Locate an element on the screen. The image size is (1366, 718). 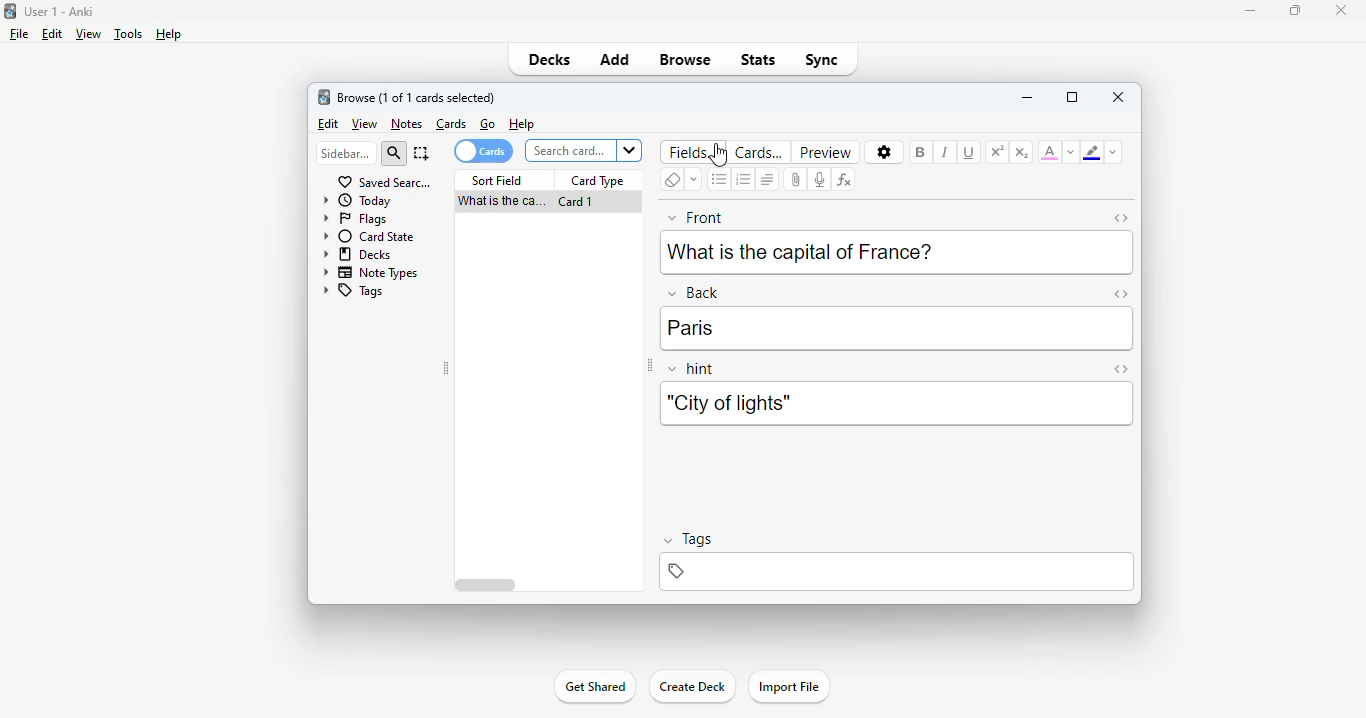
close is located at coordinates (1341, 10).